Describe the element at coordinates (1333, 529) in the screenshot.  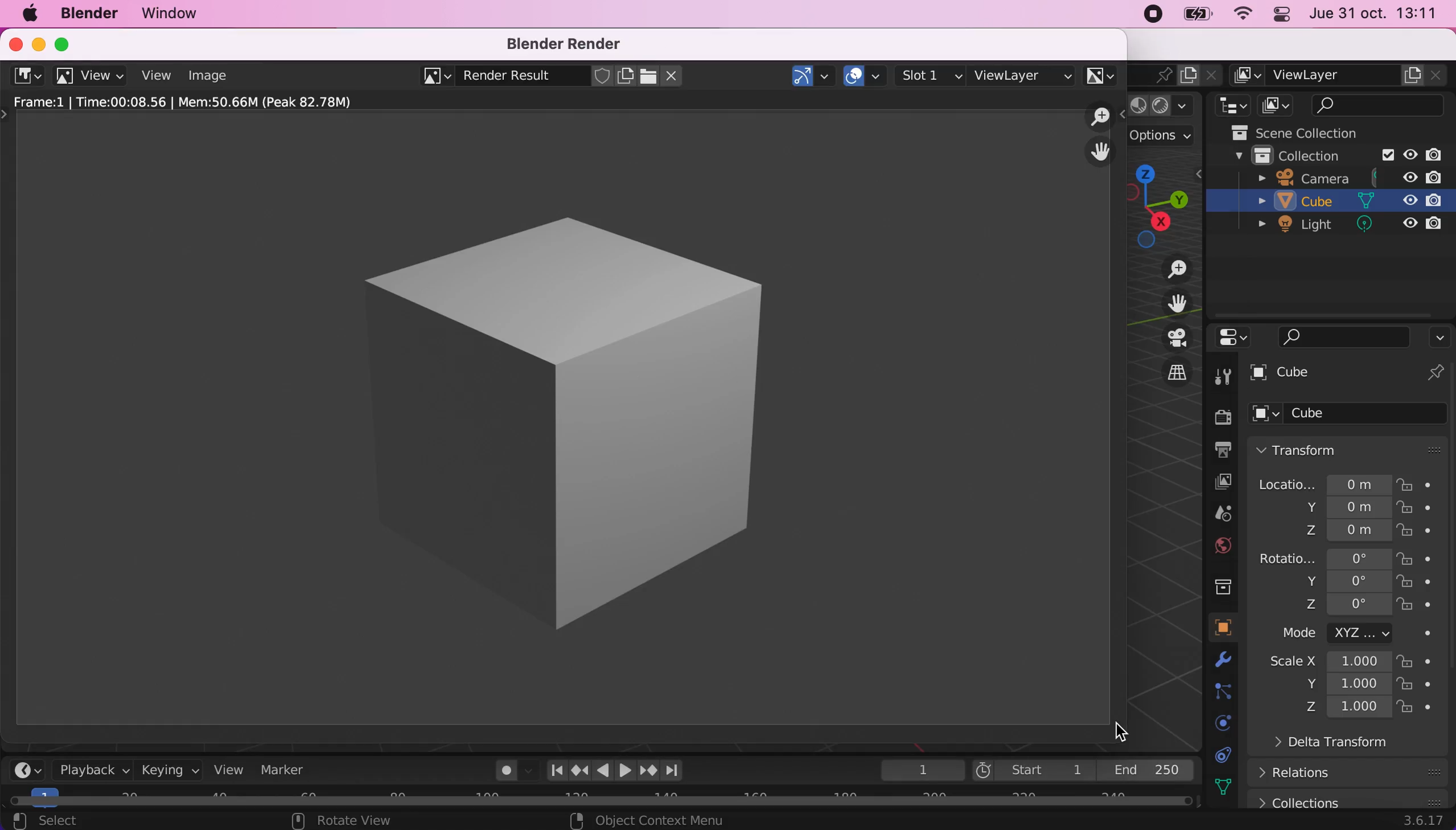
I see `location z` at that location.